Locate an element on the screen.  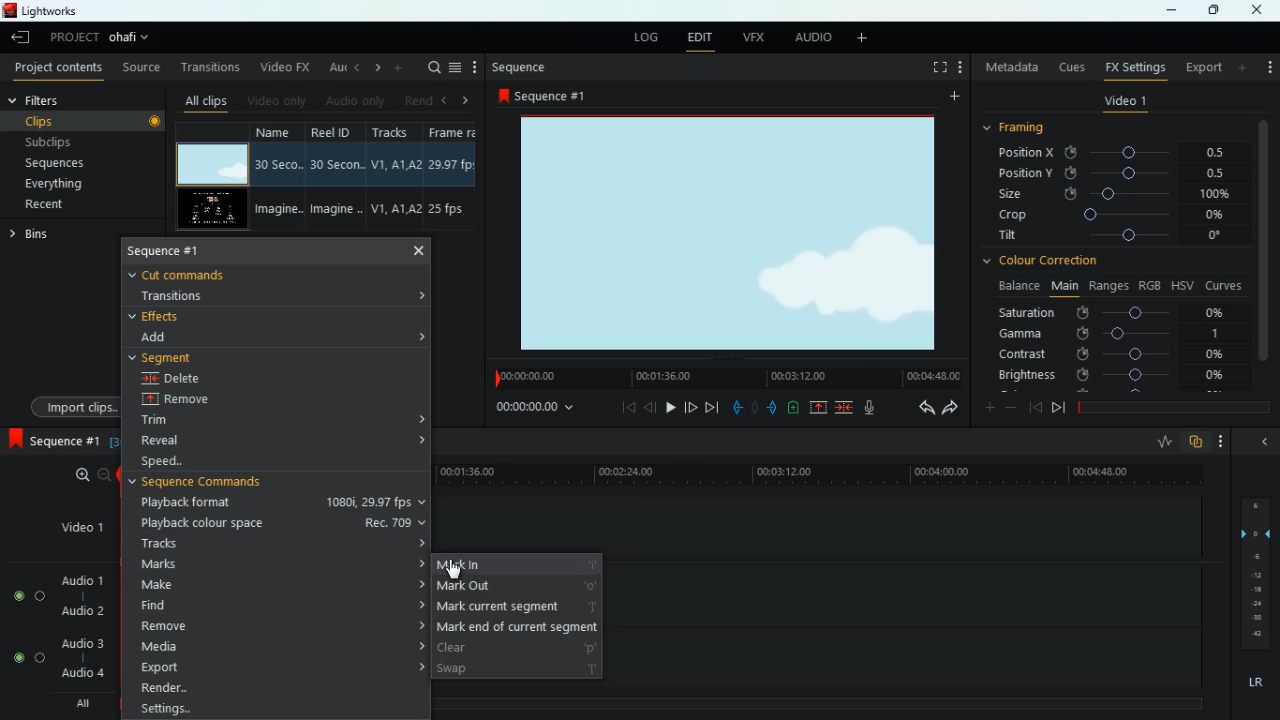
remove is located at coordinates (184, 400).